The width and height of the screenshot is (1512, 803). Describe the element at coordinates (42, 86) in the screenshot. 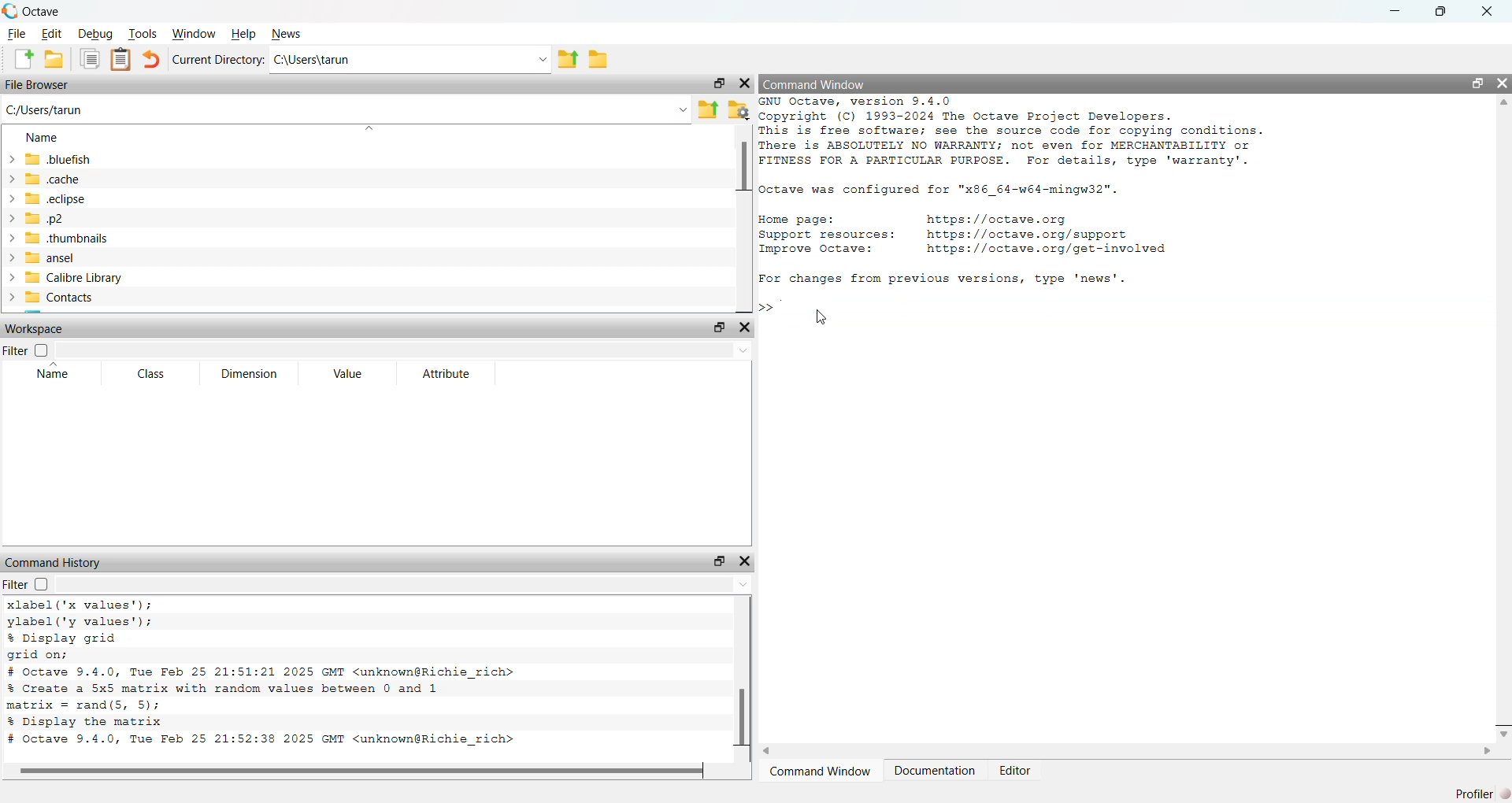

I see `File Browser` at that location.